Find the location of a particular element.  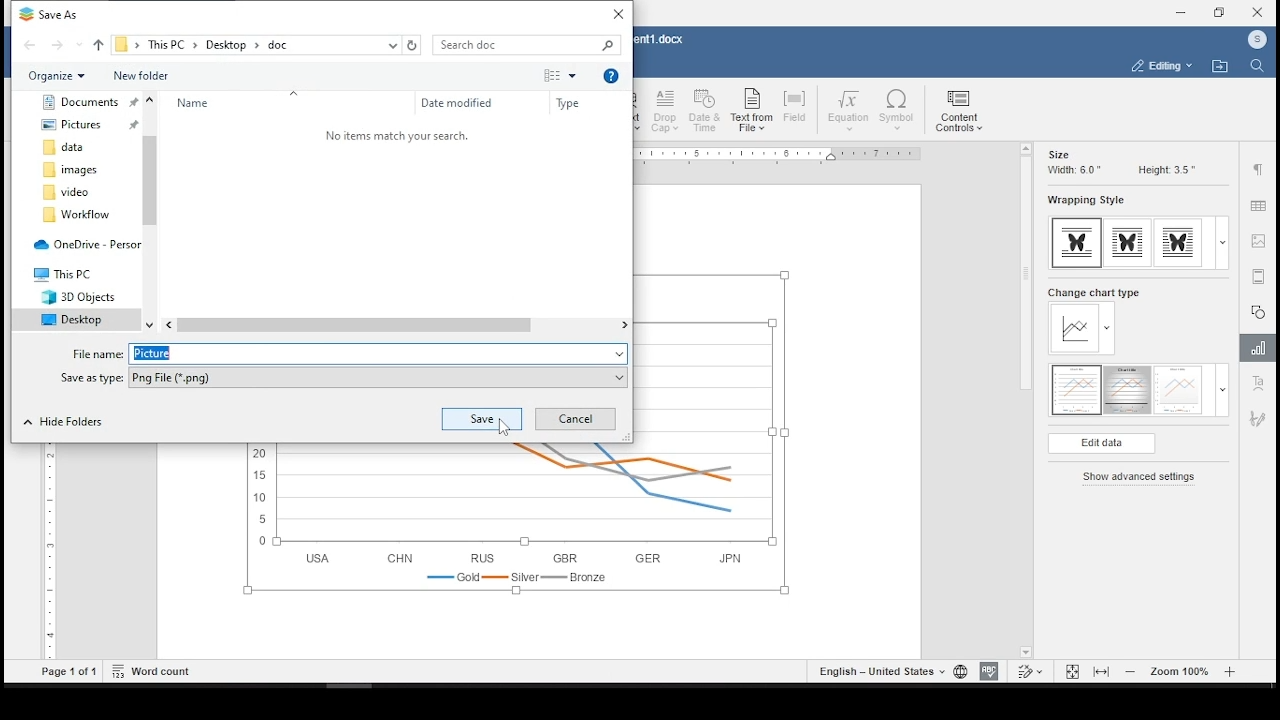

organize is located at coordinates (64, 75).